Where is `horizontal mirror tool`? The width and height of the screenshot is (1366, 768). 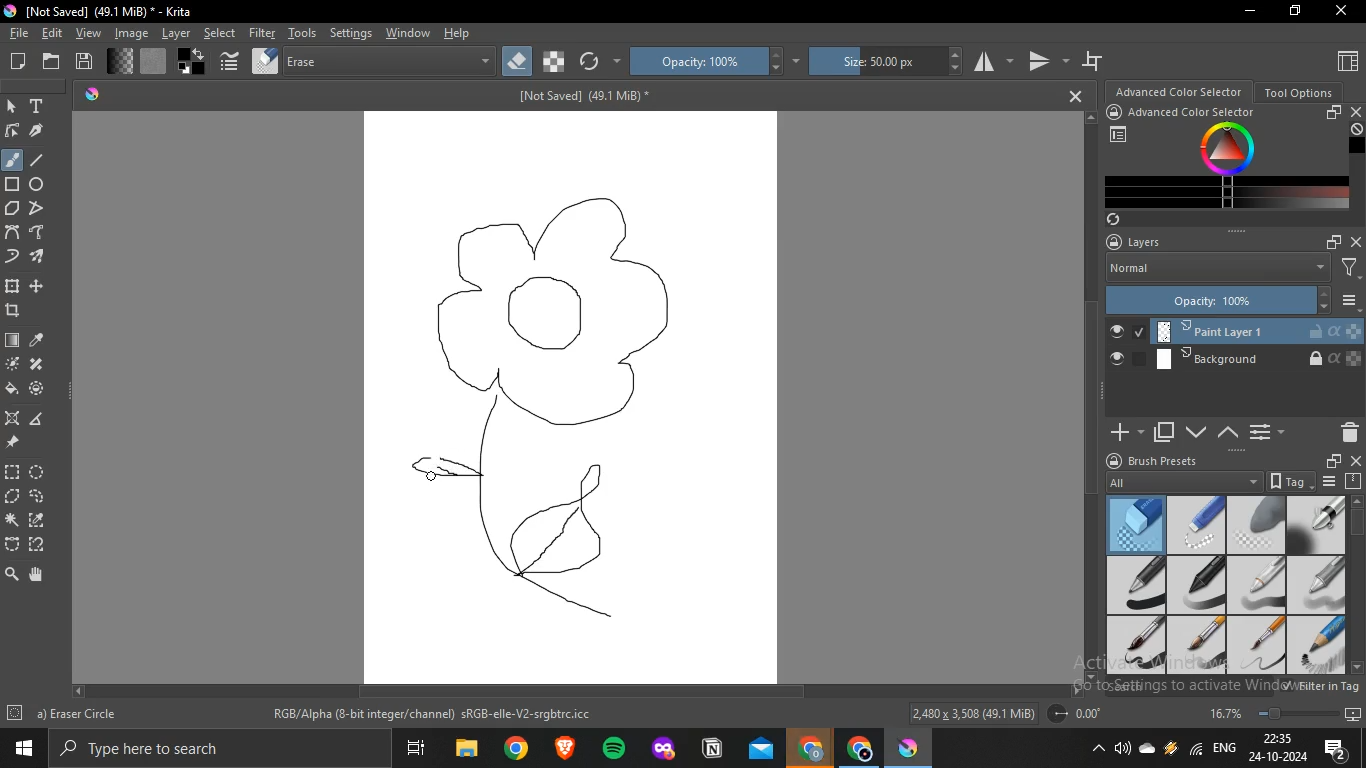
horizontal mirror tool is located at coordinates (991, 63).